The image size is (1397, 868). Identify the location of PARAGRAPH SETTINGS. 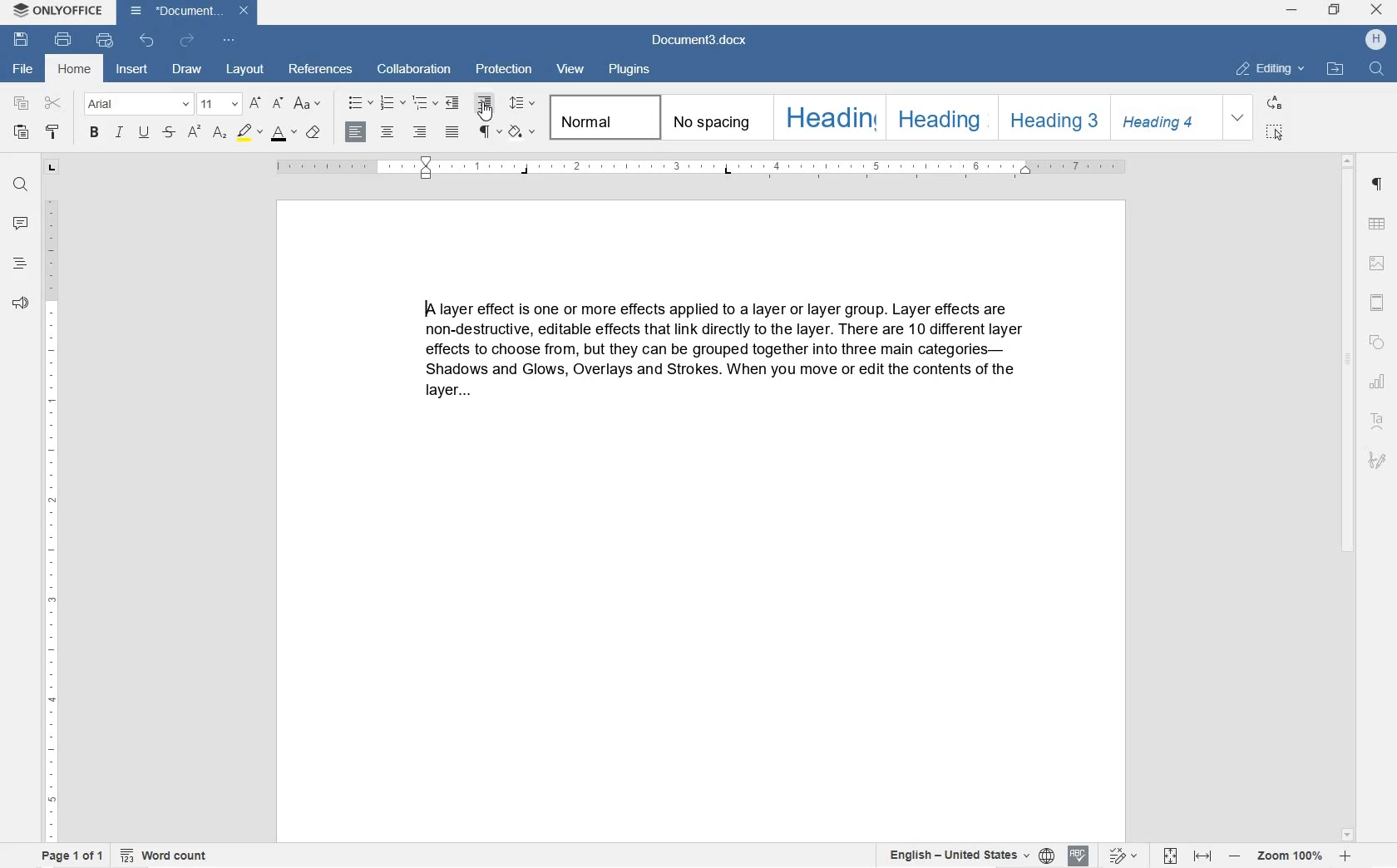
(1377, 185).